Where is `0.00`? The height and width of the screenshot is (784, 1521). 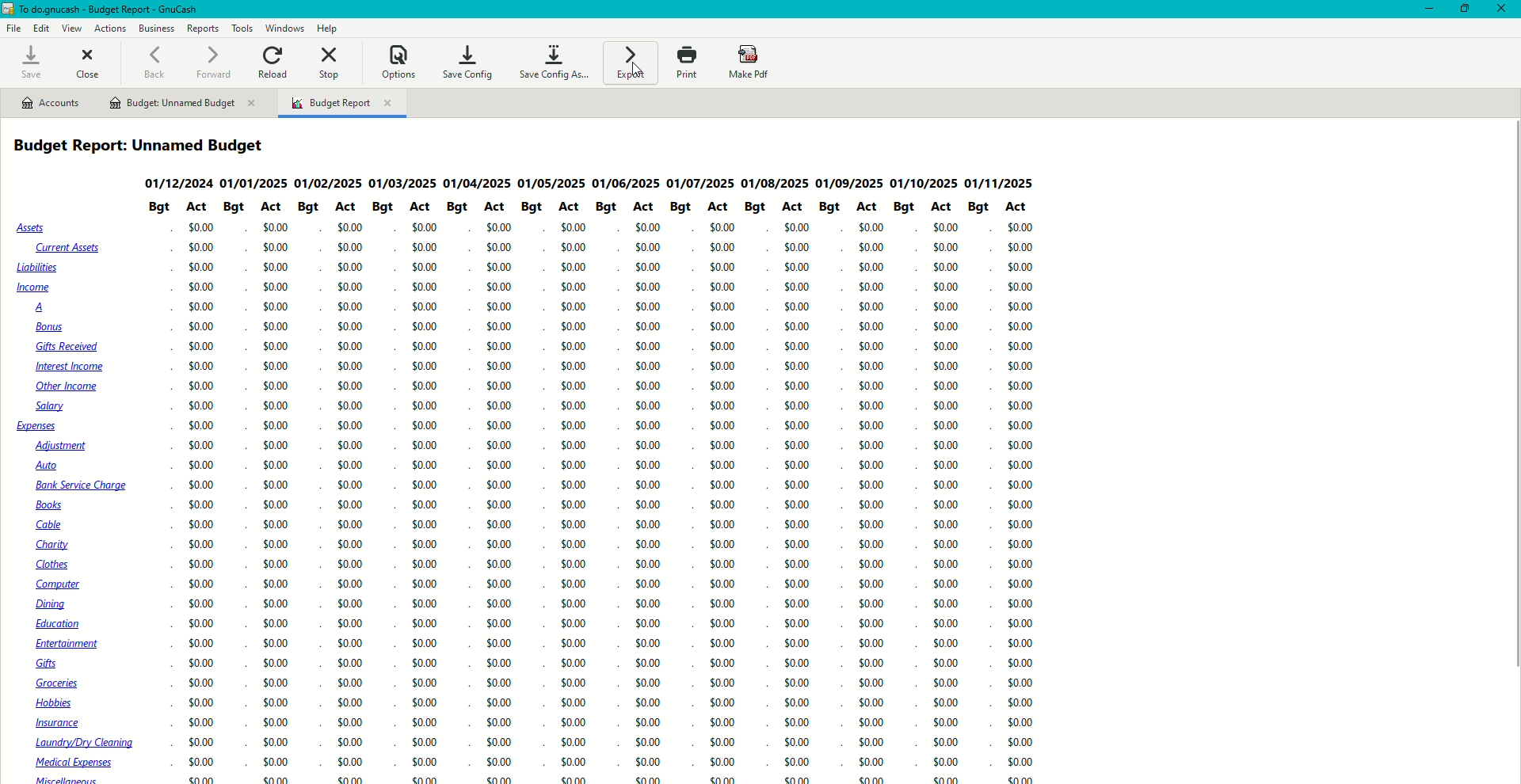
0.00 is located at coordinates (277, 230).